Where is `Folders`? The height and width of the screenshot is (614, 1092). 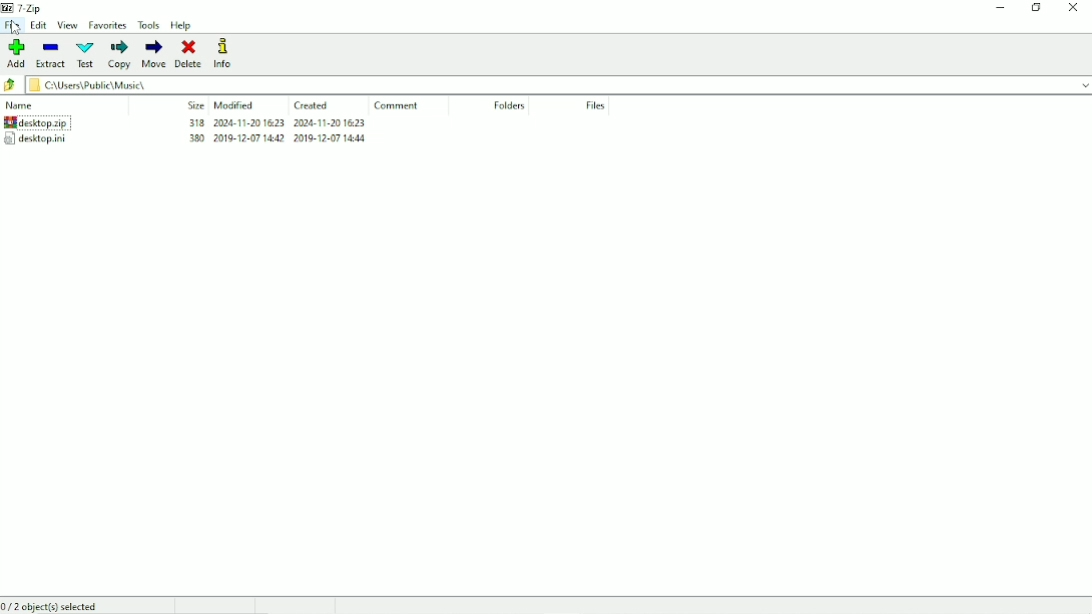
Folders is located at coordinates (509, 106).